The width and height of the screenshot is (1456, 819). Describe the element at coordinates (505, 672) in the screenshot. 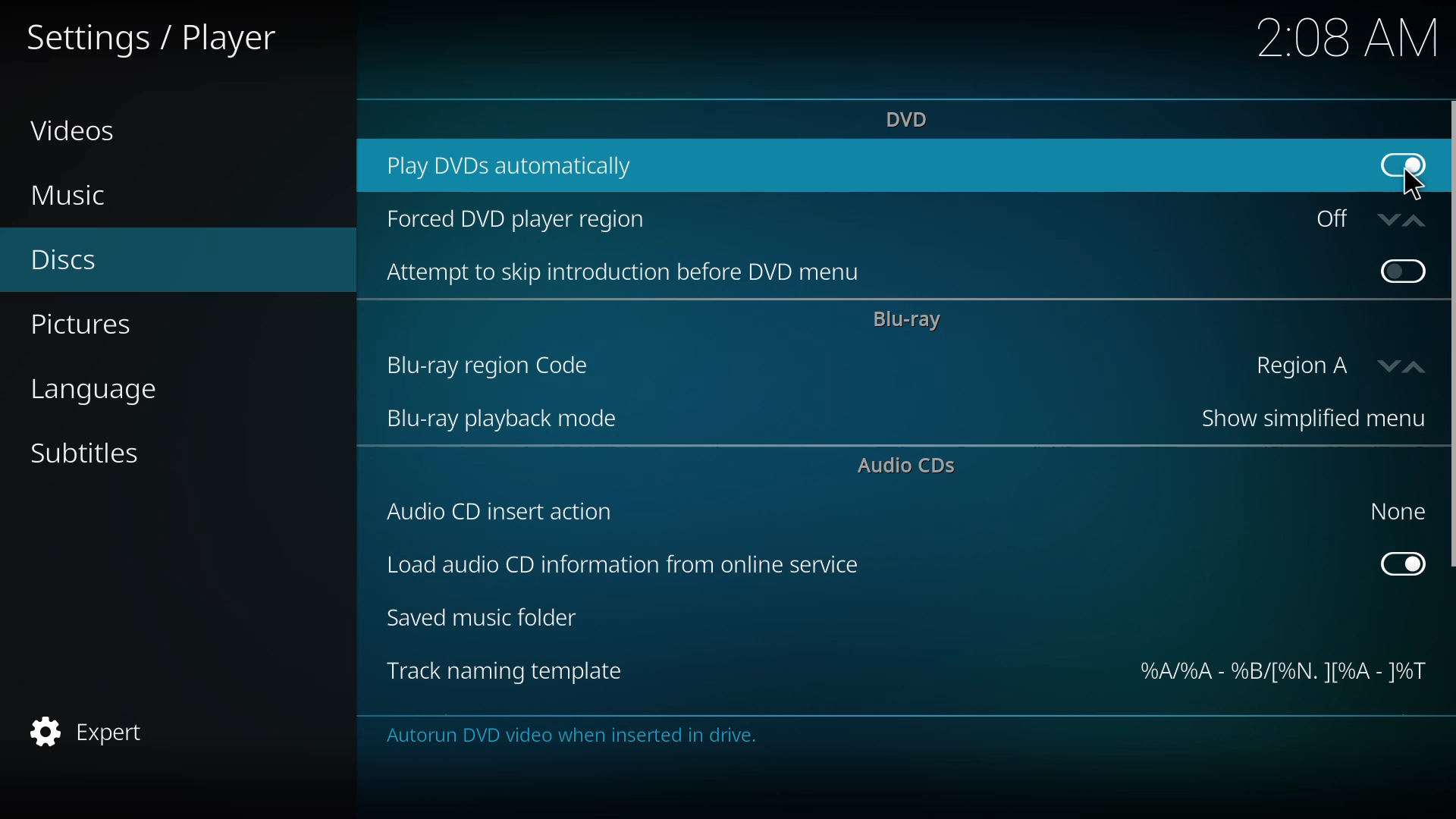

I see `track naming template` at that location.